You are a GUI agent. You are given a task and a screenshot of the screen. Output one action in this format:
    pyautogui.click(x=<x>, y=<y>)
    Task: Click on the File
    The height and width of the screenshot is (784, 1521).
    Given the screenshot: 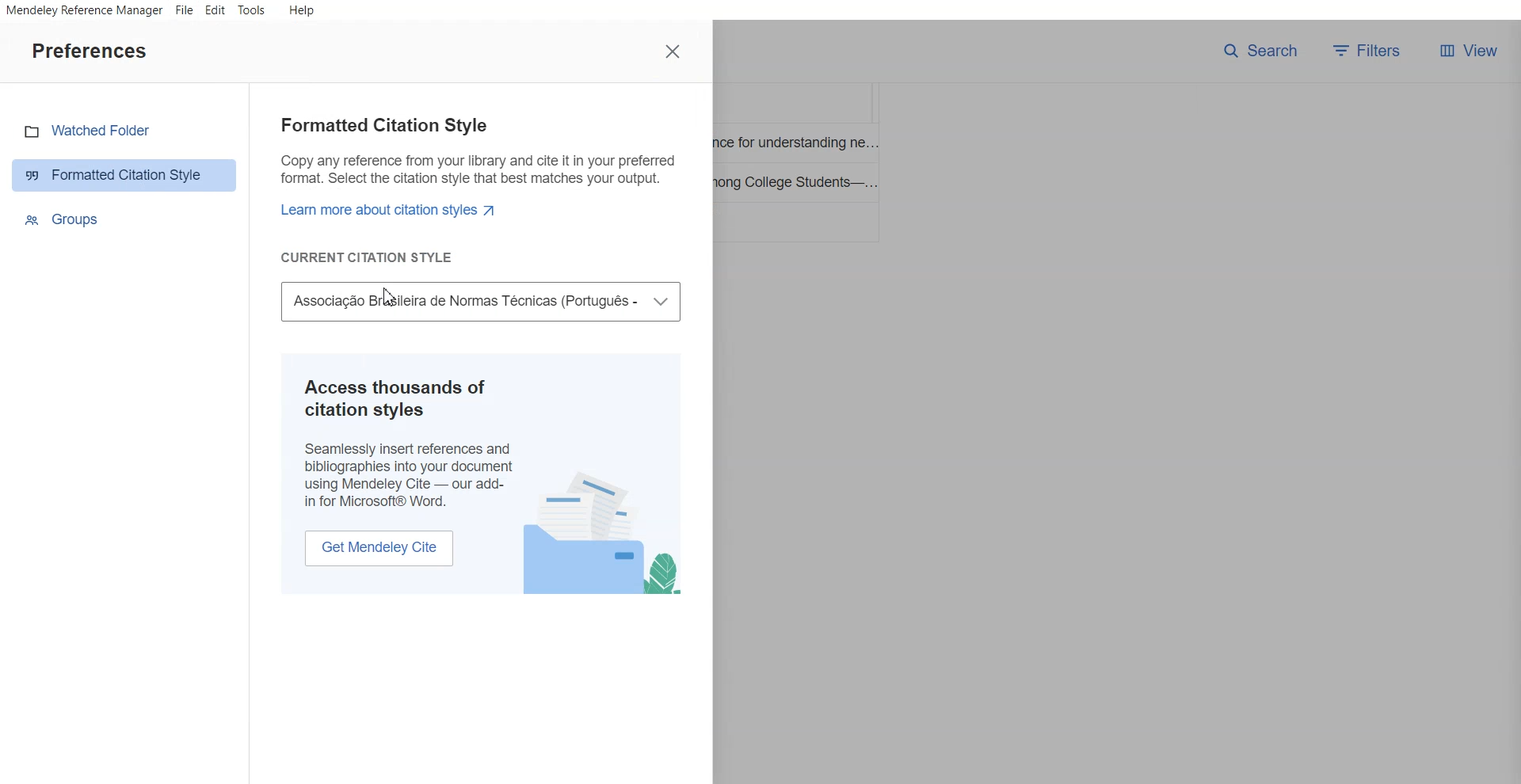 What is the action you would take?
    pyautogui.click(x=185, y=10)
    